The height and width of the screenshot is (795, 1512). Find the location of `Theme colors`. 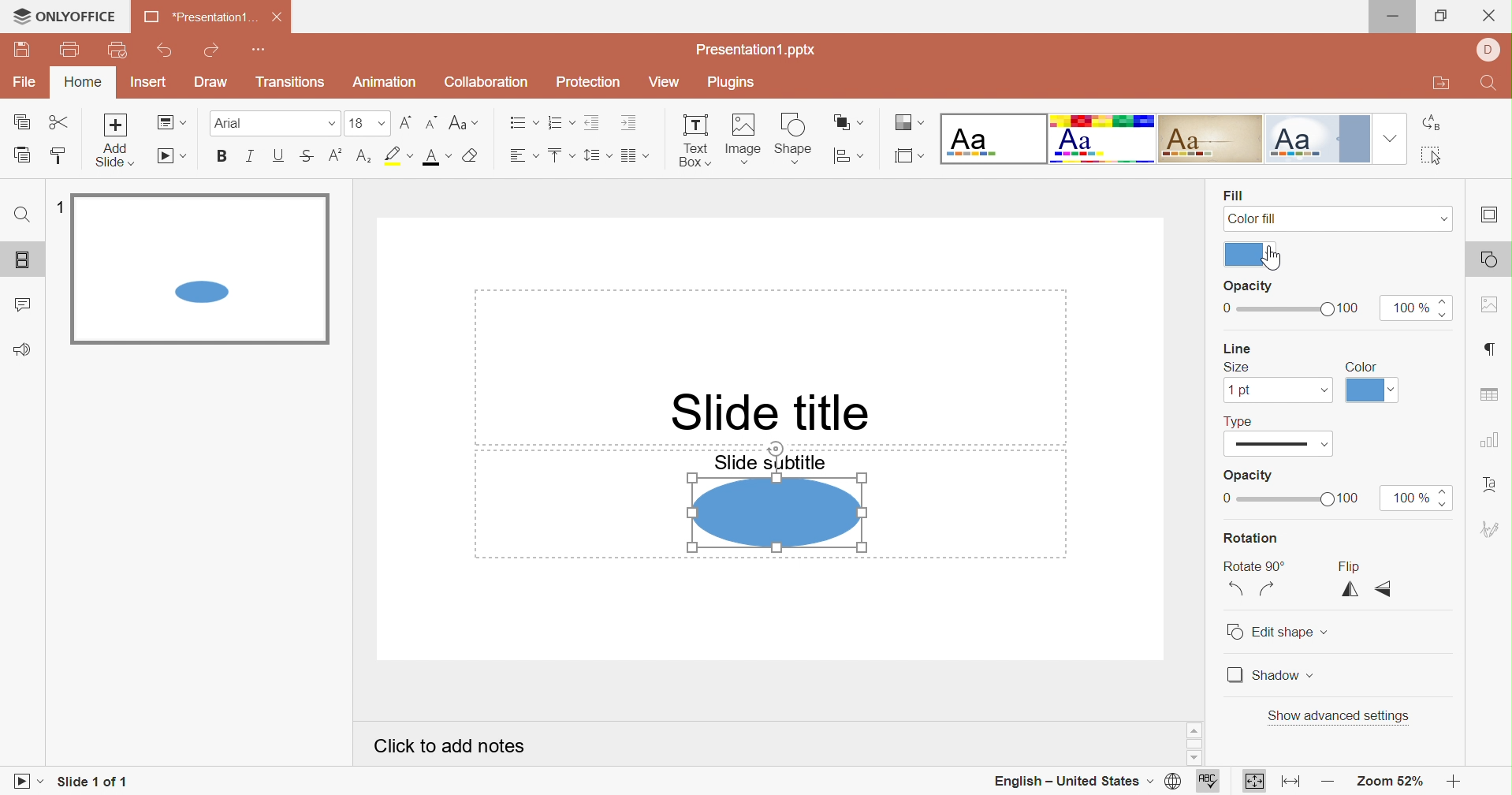

Theme colors is located at coordinates (1374, 389).